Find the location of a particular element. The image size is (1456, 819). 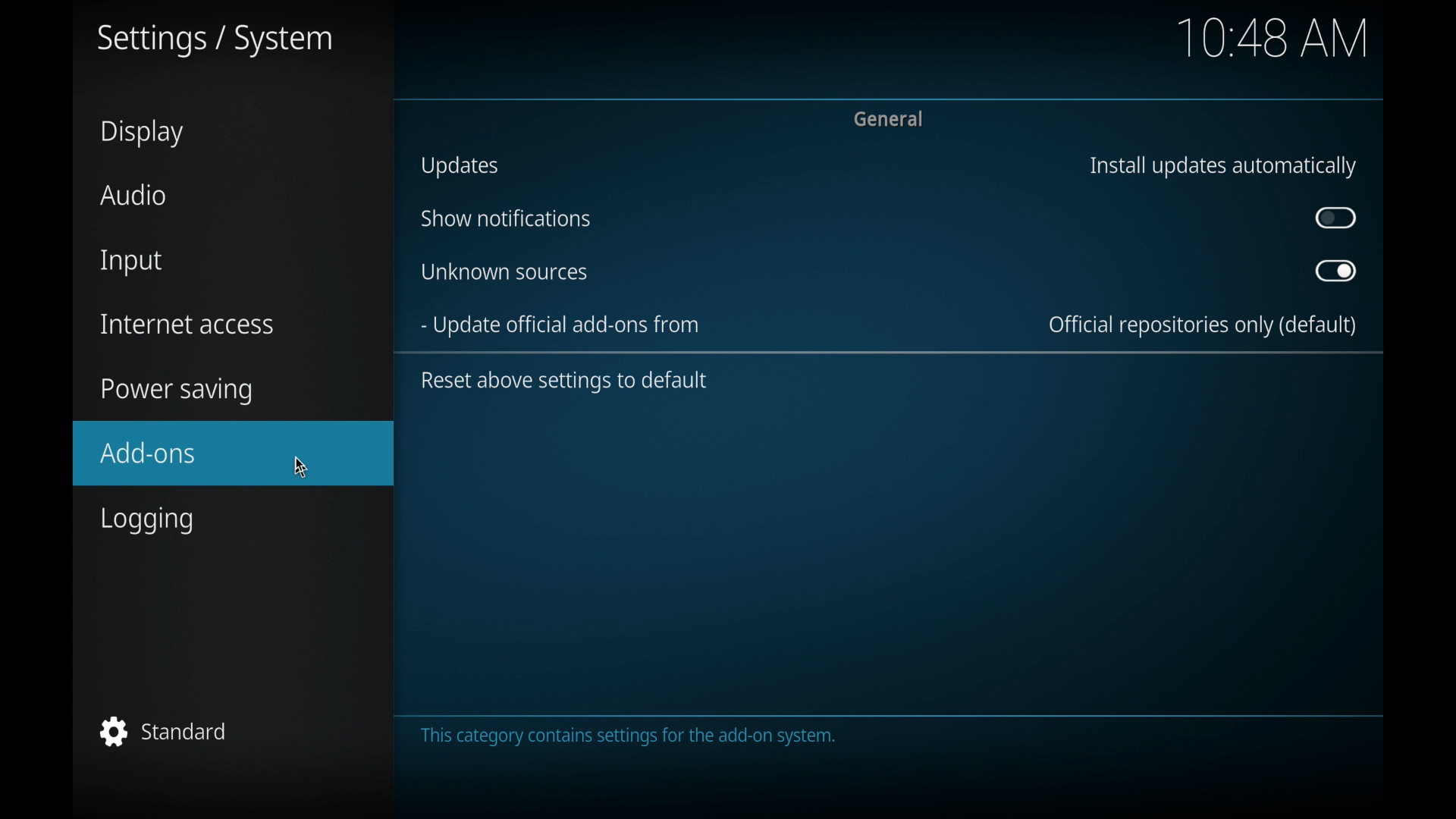

general is located at coordinates (891, 119).